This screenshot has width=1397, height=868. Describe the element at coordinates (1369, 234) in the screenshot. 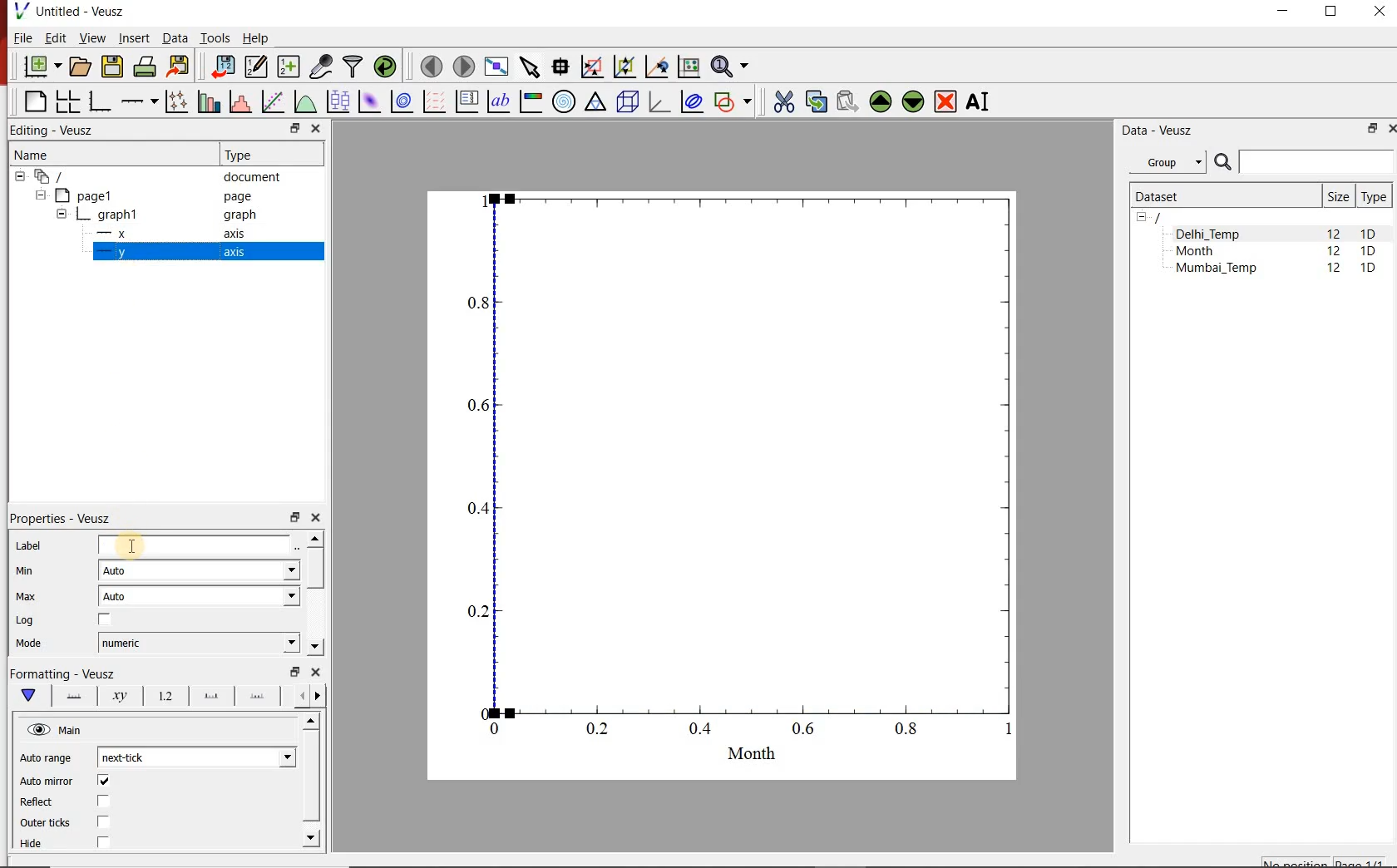

I see `1D` at that location.